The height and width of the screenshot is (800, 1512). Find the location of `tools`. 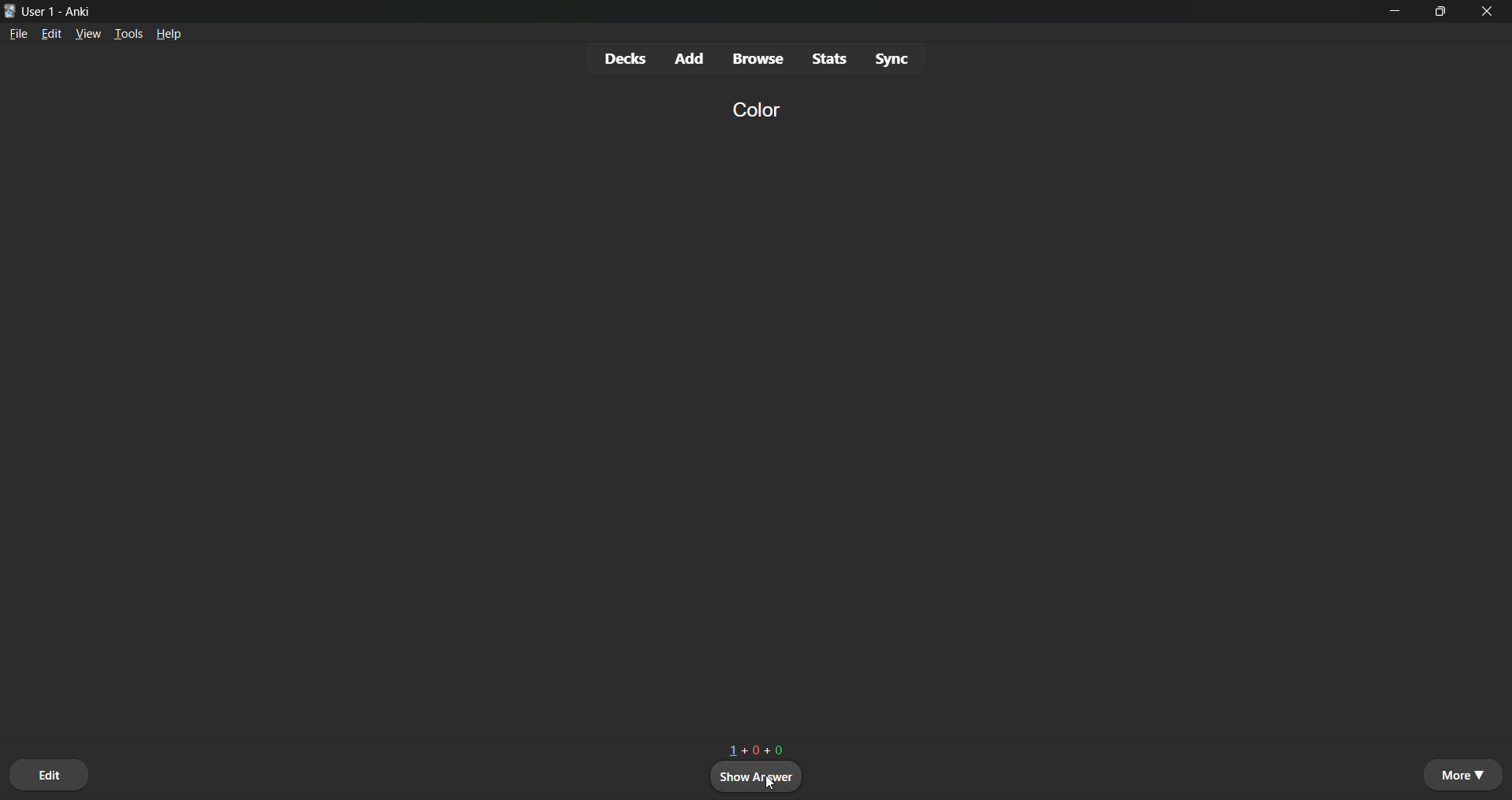

tools is located at coordinates (130, 31).